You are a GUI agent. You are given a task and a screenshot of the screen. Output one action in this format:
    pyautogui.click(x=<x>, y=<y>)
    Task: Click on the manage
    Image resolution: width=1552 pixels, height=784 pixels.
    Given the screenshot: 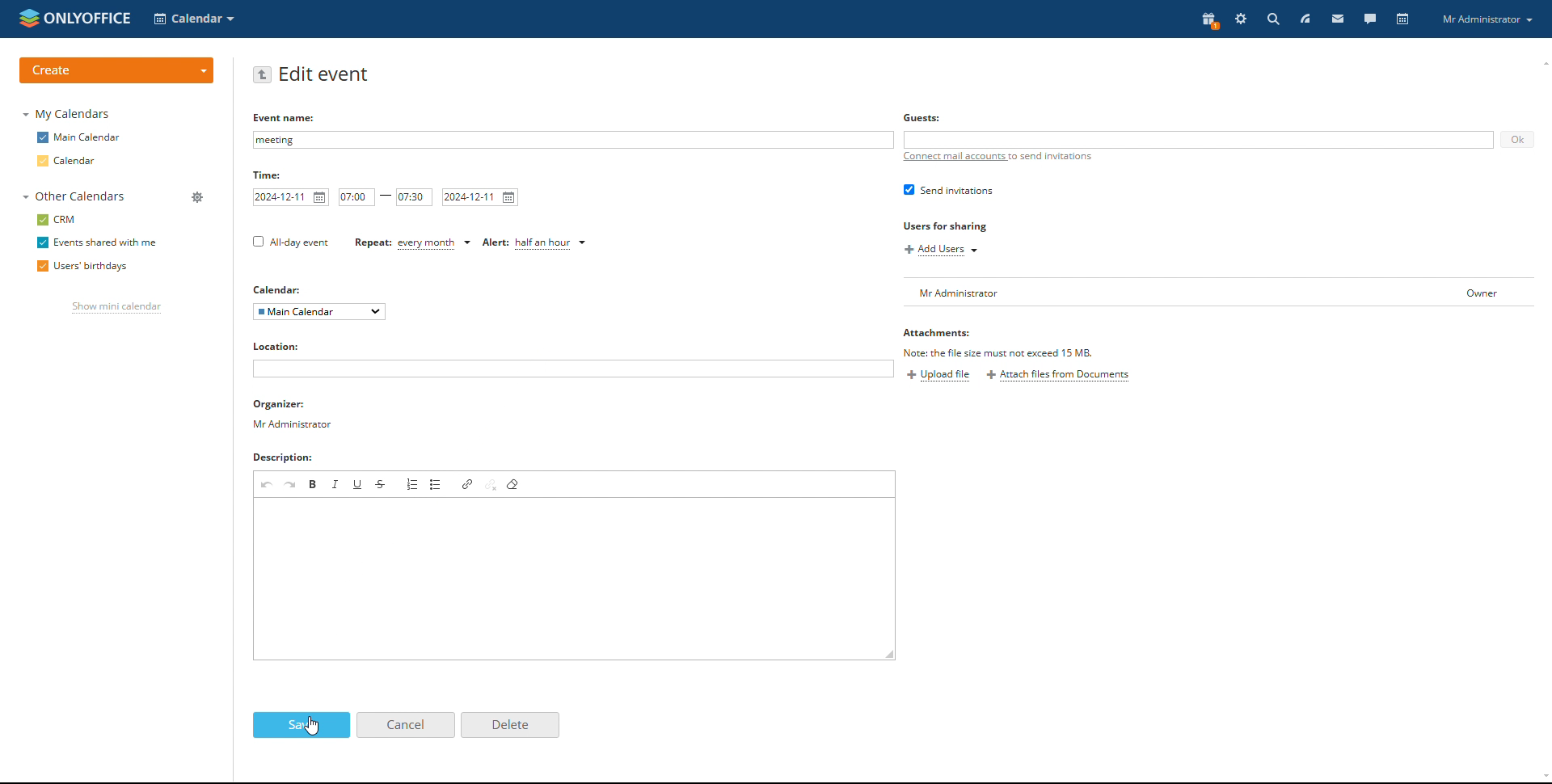 What is the action you would take?
    pyautogui.click(x=198, y=196)
    